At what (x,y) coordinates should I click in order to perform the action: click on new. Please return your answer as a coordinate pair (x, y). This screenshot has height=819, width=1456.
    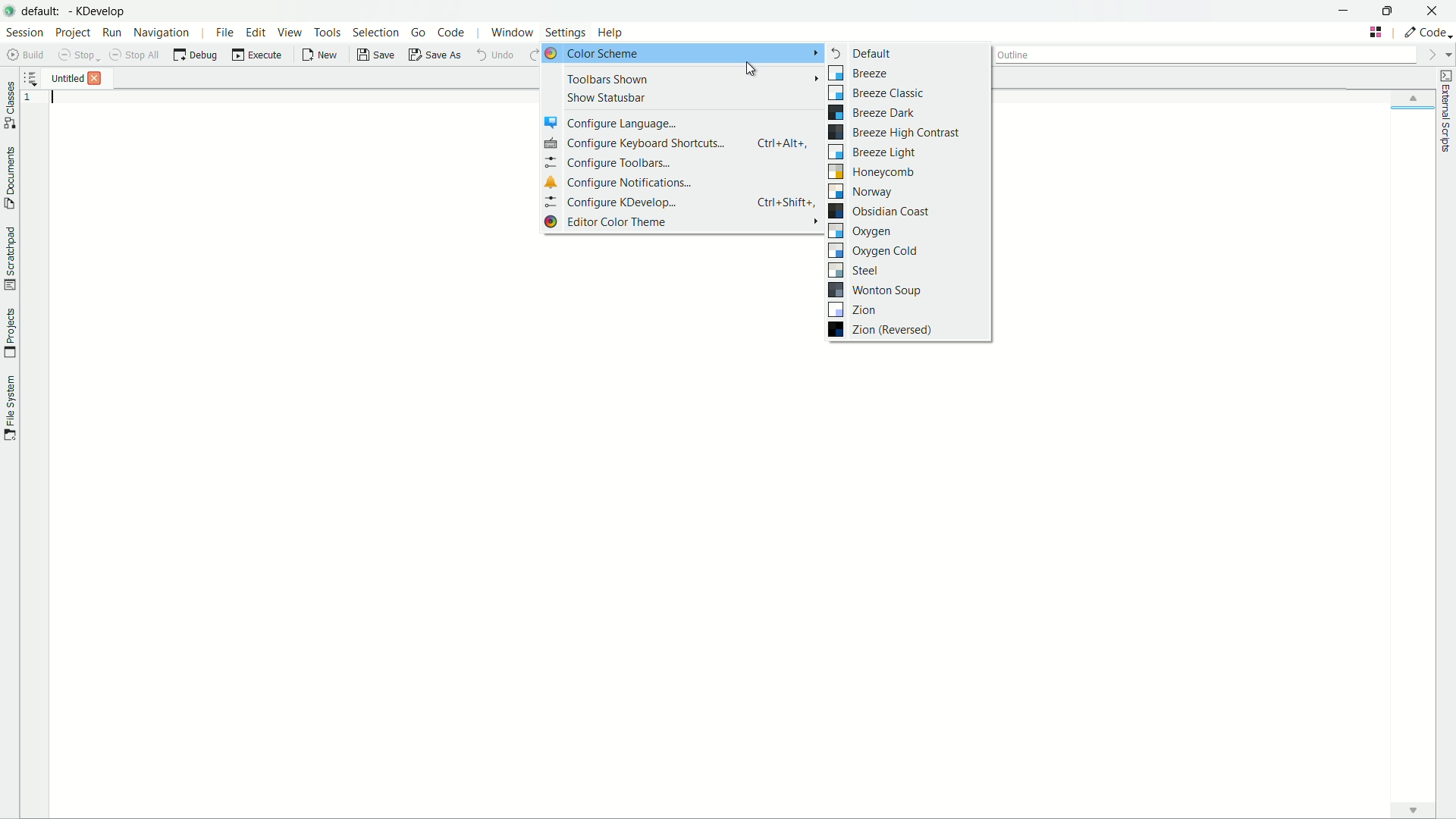
    Looking at the image, I should click on (322, 55).